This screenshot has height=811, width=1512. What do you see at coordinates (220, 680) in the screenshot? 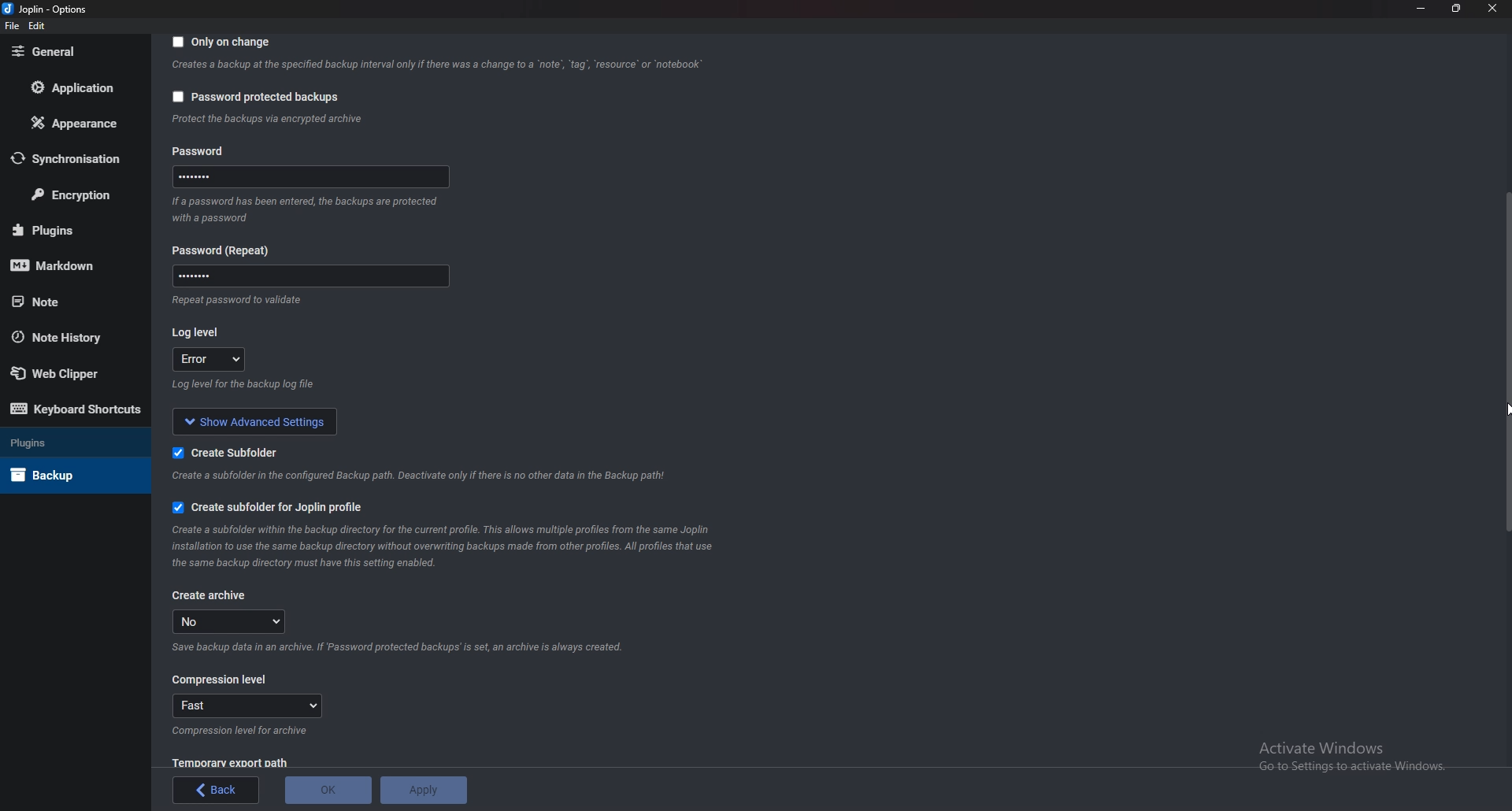
I see `Compression level` at bounding box center [220, 680].